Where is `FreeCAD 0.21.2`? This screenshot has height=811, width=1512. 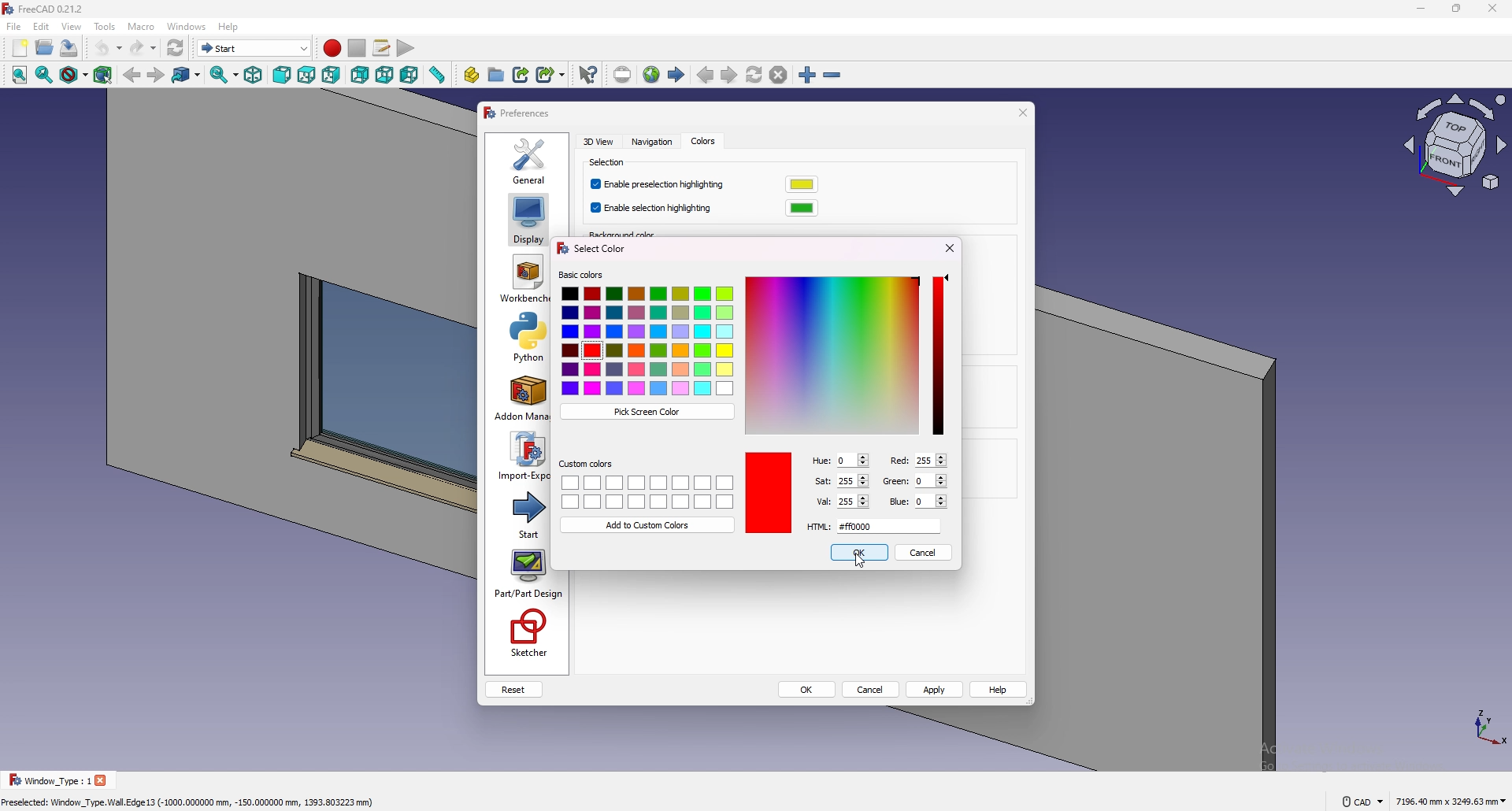
FreeCAD 0.21.2 is located at coordinates (55, 9).